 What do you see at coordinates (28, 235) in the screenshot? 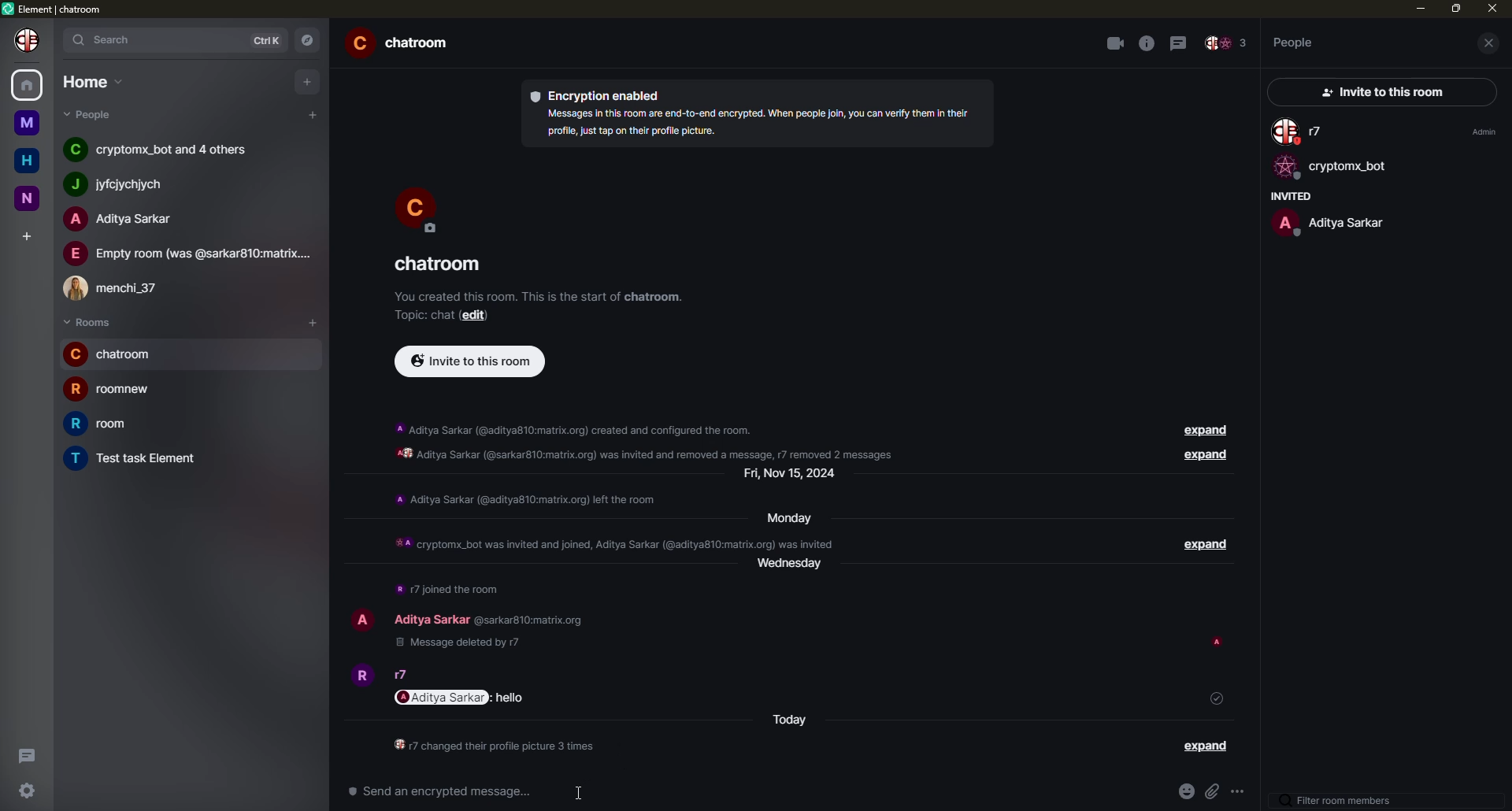
I see `add` at bounding box center [28, 235].